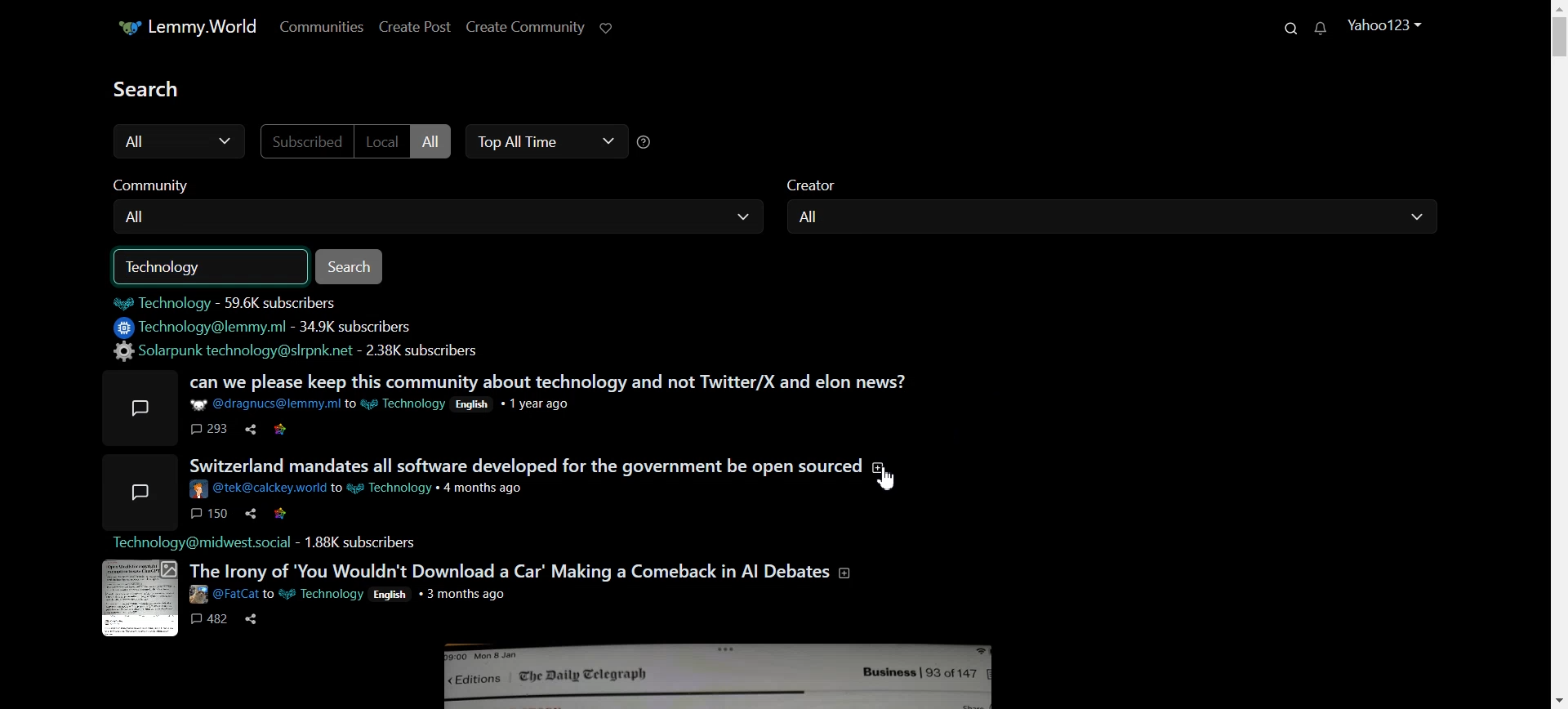 This screenshot has height=709, width=1568. I want to click on share, so click(252, 514).